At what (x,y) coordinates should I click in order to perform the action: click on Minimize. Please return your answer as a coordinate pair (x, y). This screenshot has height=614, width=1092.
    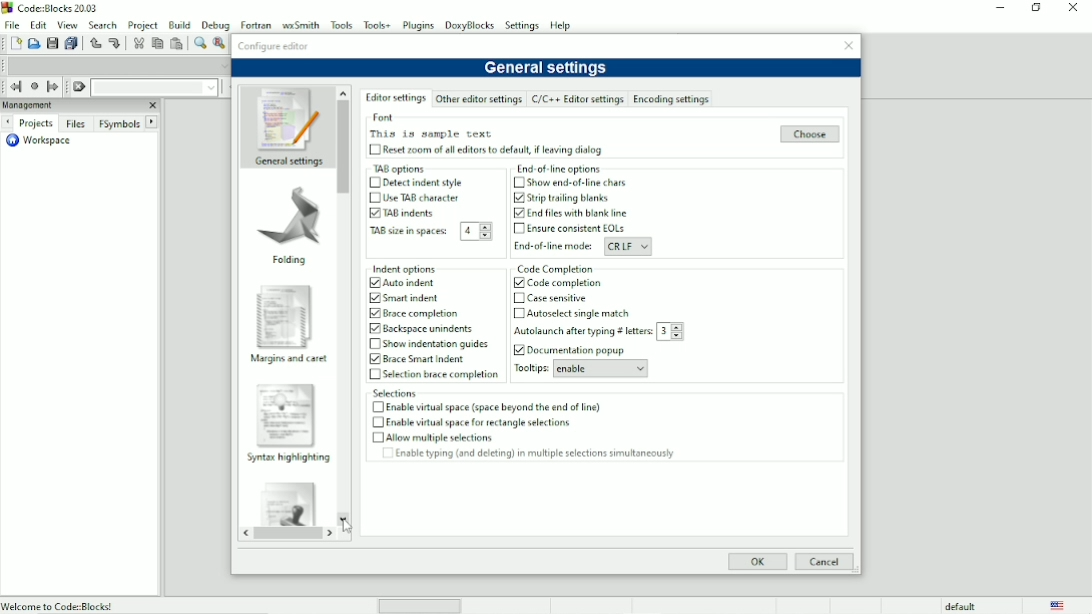
    Looking at the image, I should click on (996, 8).